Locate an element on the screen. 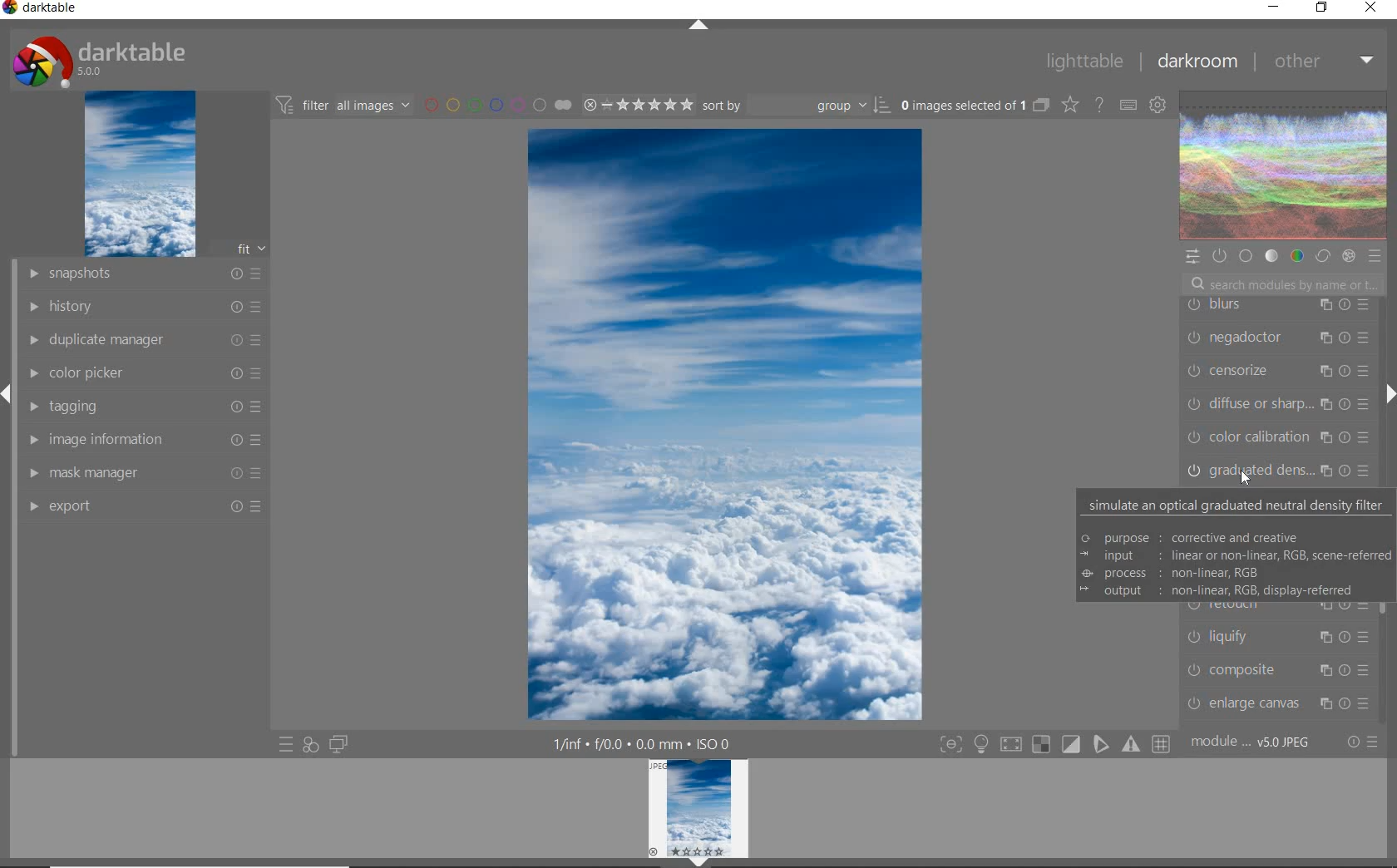  TAGGING is located at coordinates (148, 406).